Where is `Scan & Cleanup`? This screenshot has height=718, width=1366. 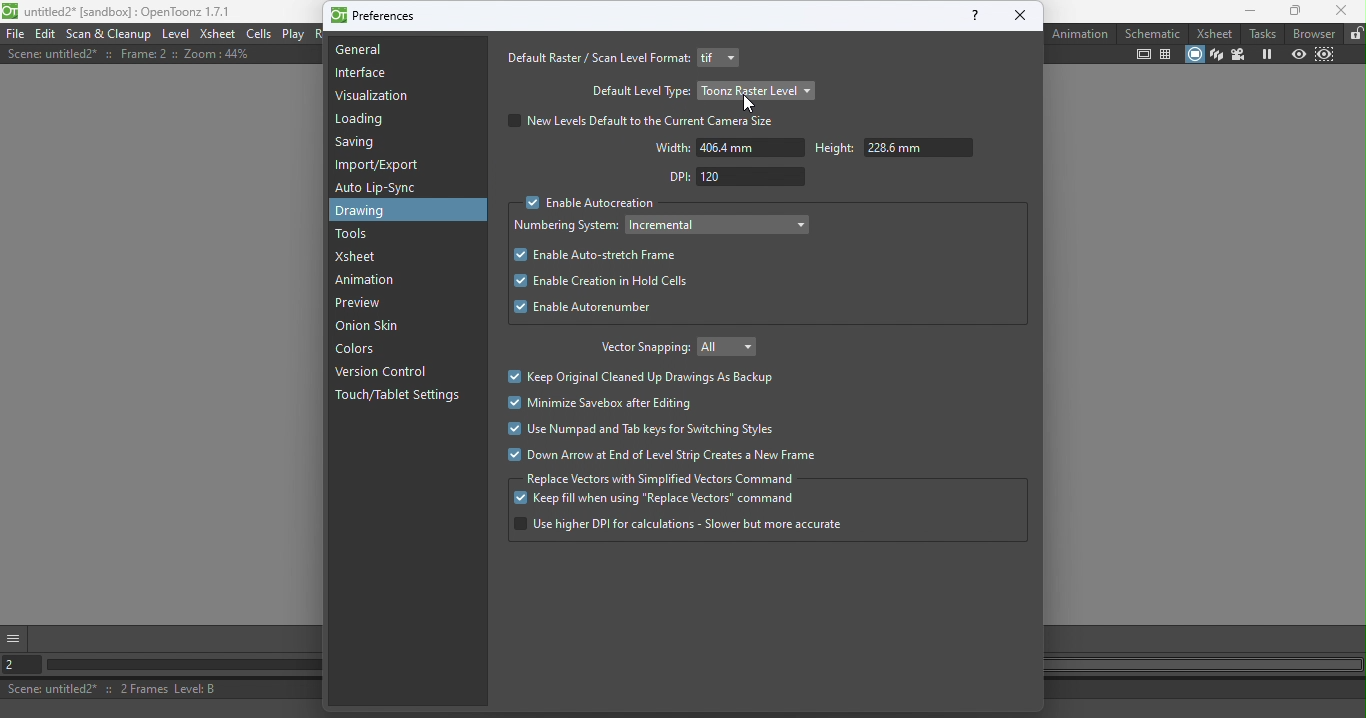
Scan & Cleanup is located at coordinates (110, 34).